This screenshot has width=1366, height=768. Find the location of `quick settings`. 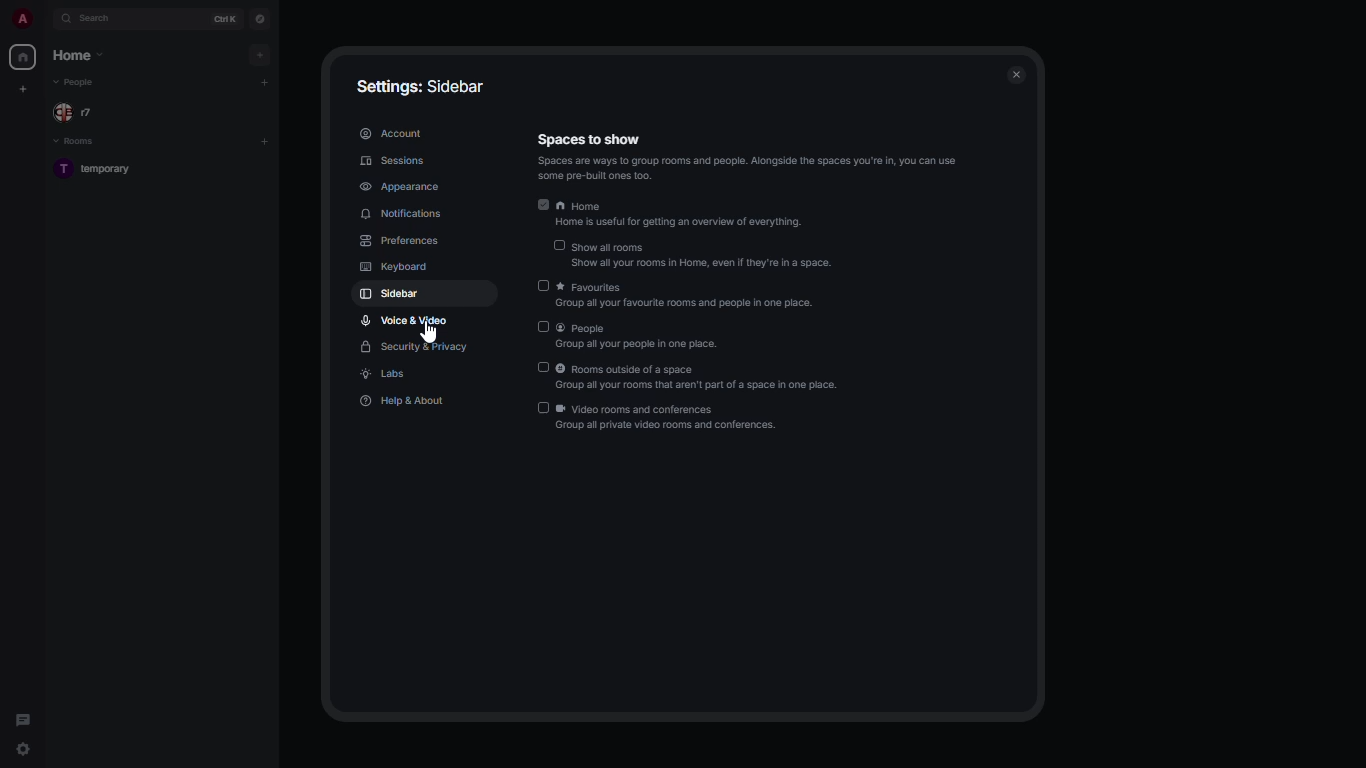

quick settings is located at coordinates (24, 749).